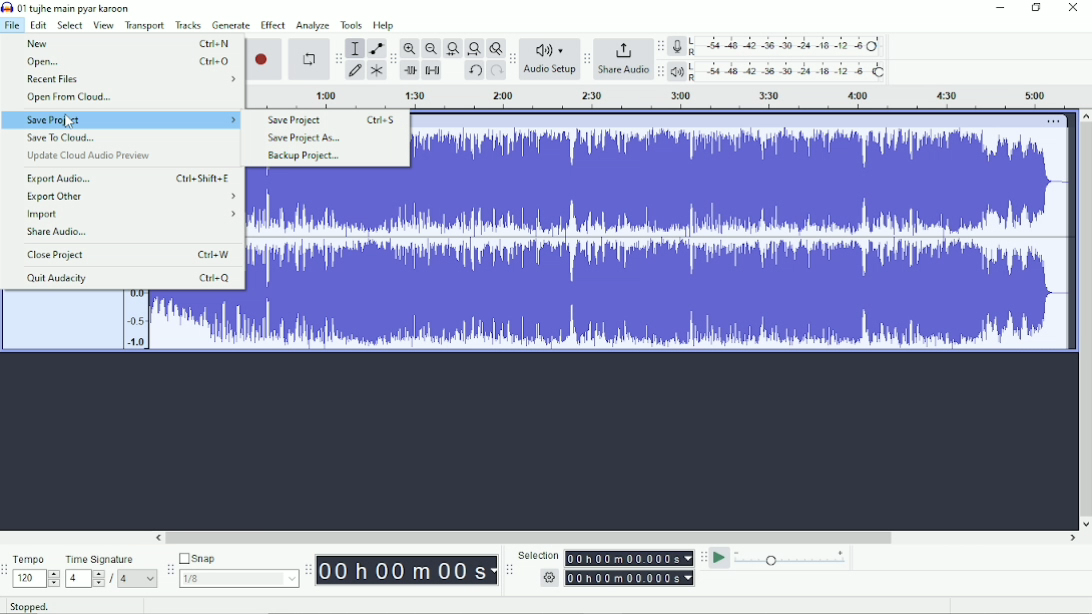 The height and width of the screenshot is (614, 1092). I want to click on Open from cloud, so click(76, 99).